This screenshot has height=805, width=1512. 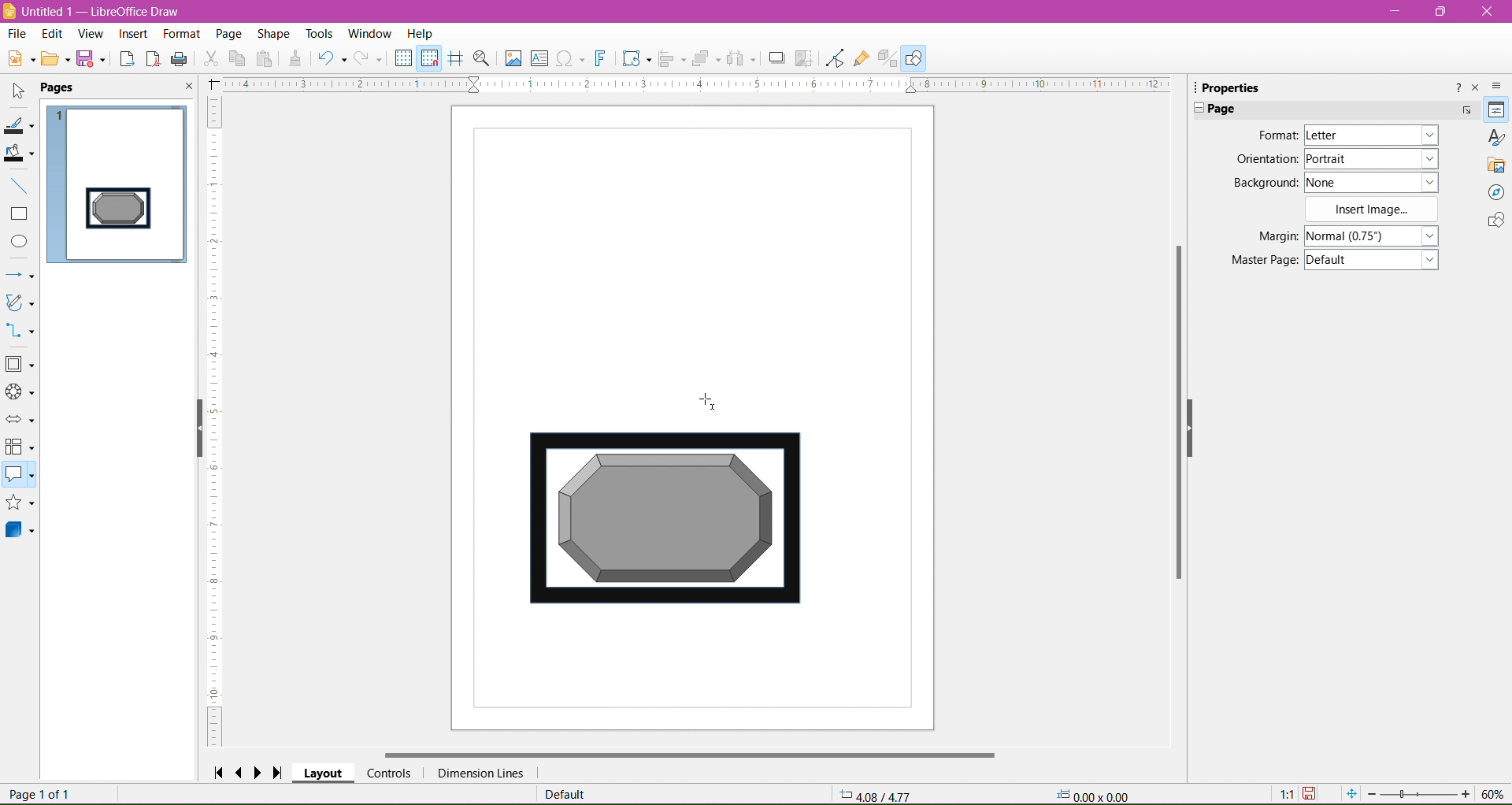 I want to click on Insert Fontwork Text, so click(x=602, y=60).